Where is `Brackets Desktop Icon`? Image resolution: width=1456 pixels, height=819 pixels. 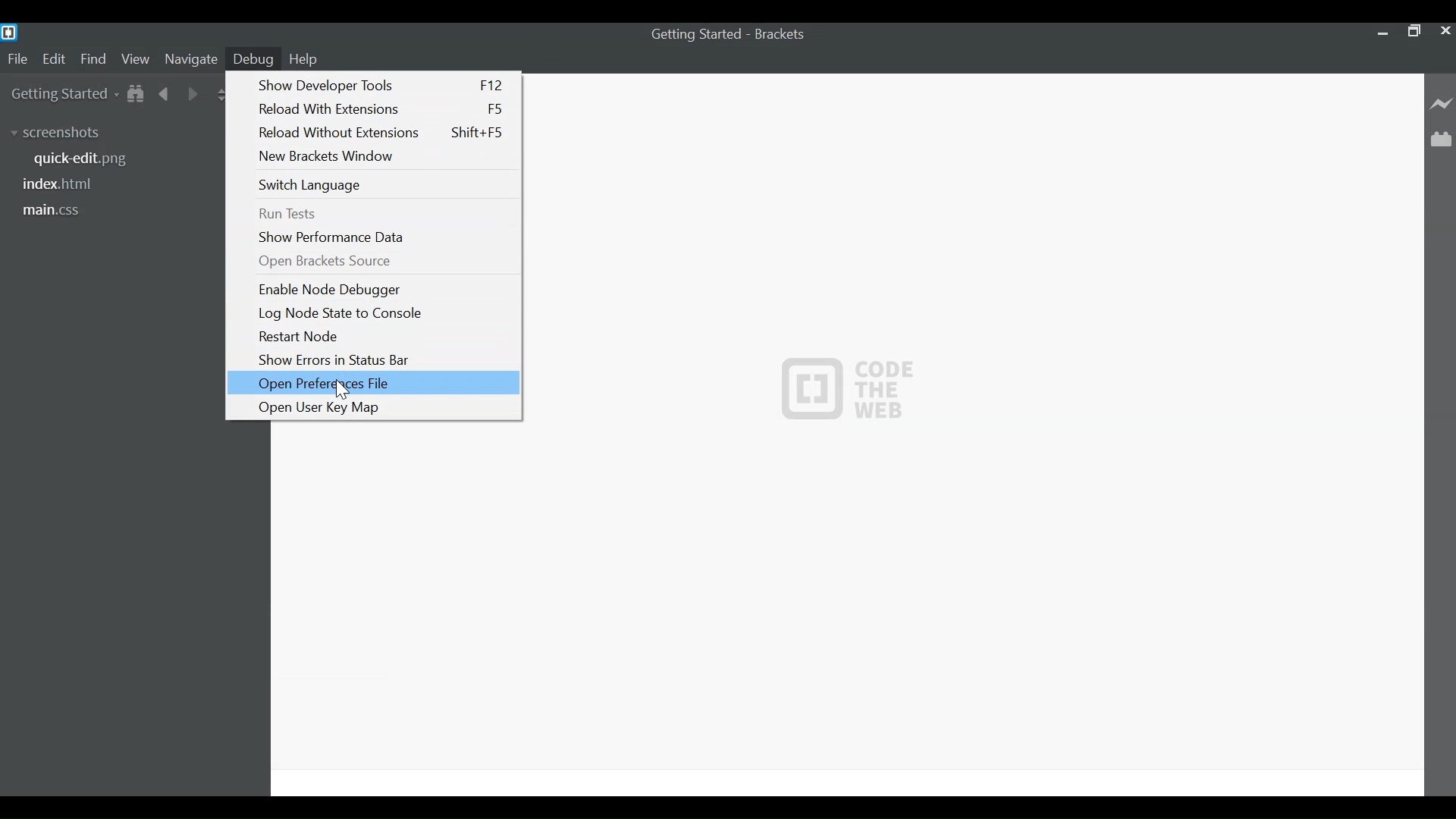 Brackets Desktop Icon is located at coordinates (11, 32).